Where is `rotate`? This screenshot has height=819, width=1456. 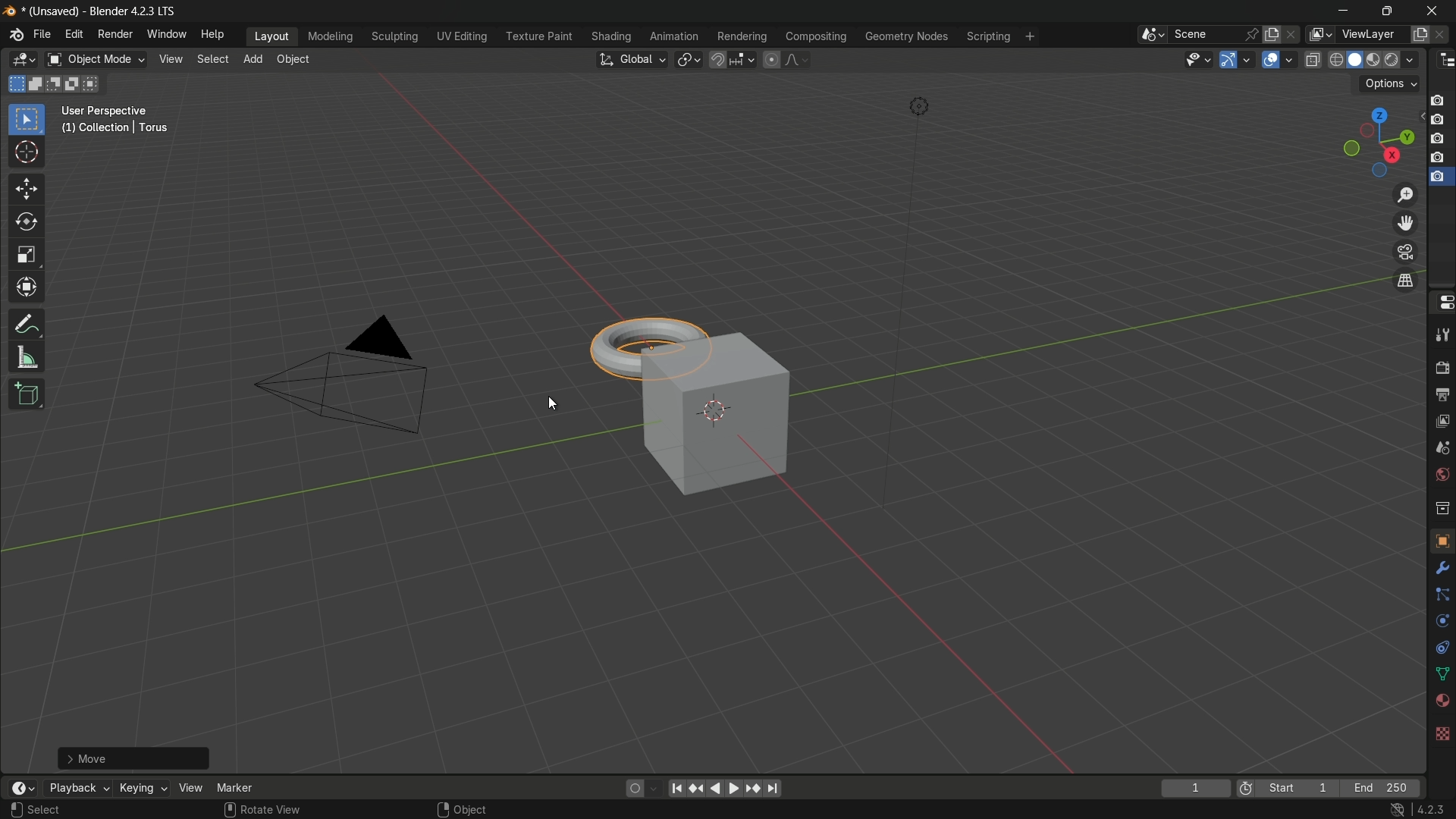
rotate is located at coordinates (27, 223).